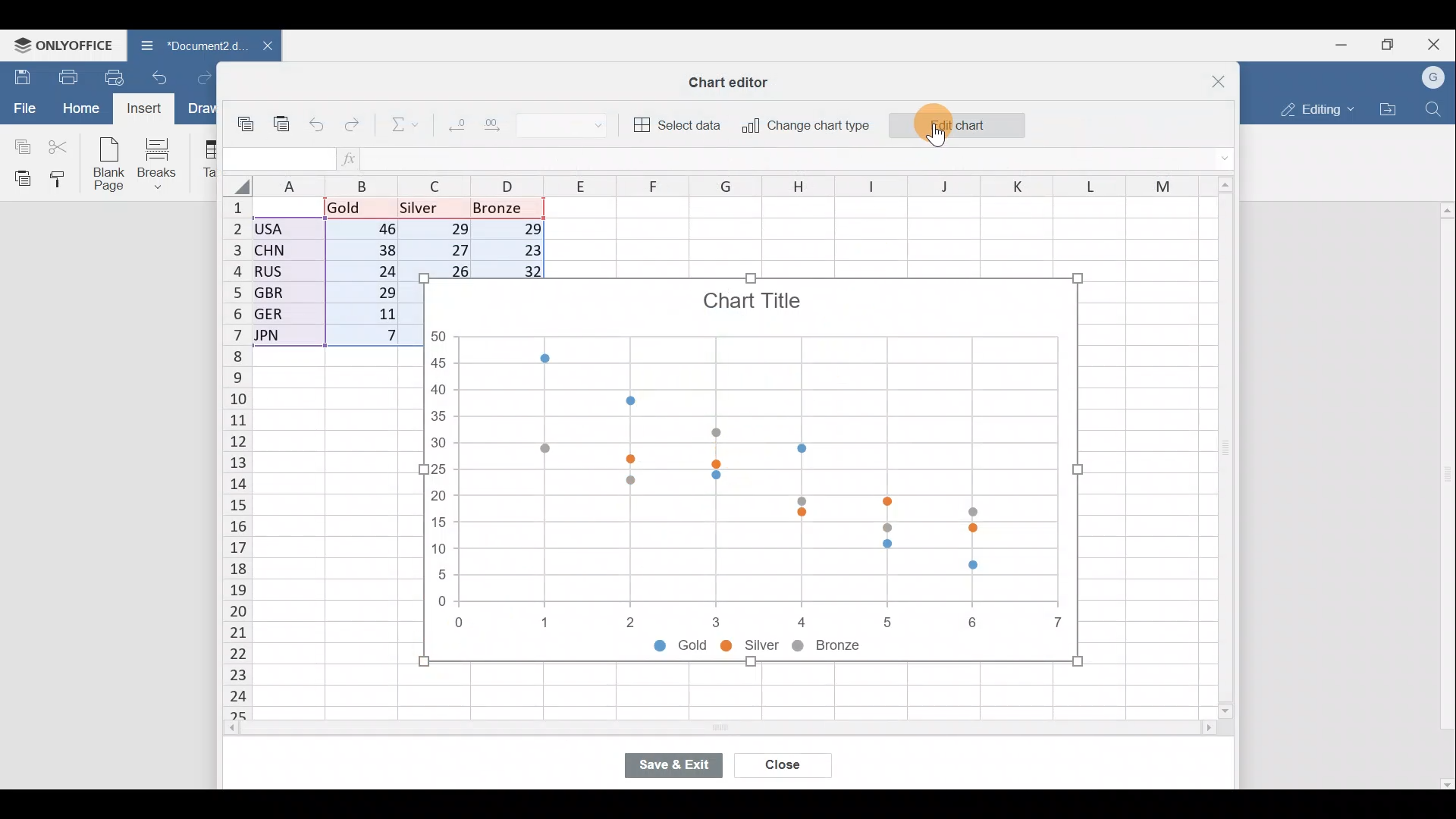 This screenshot has height=819, width=1456. What do you see at coordinates (331, 277) in the screenshot?
I see `Data` at bounding box center [331, 277].